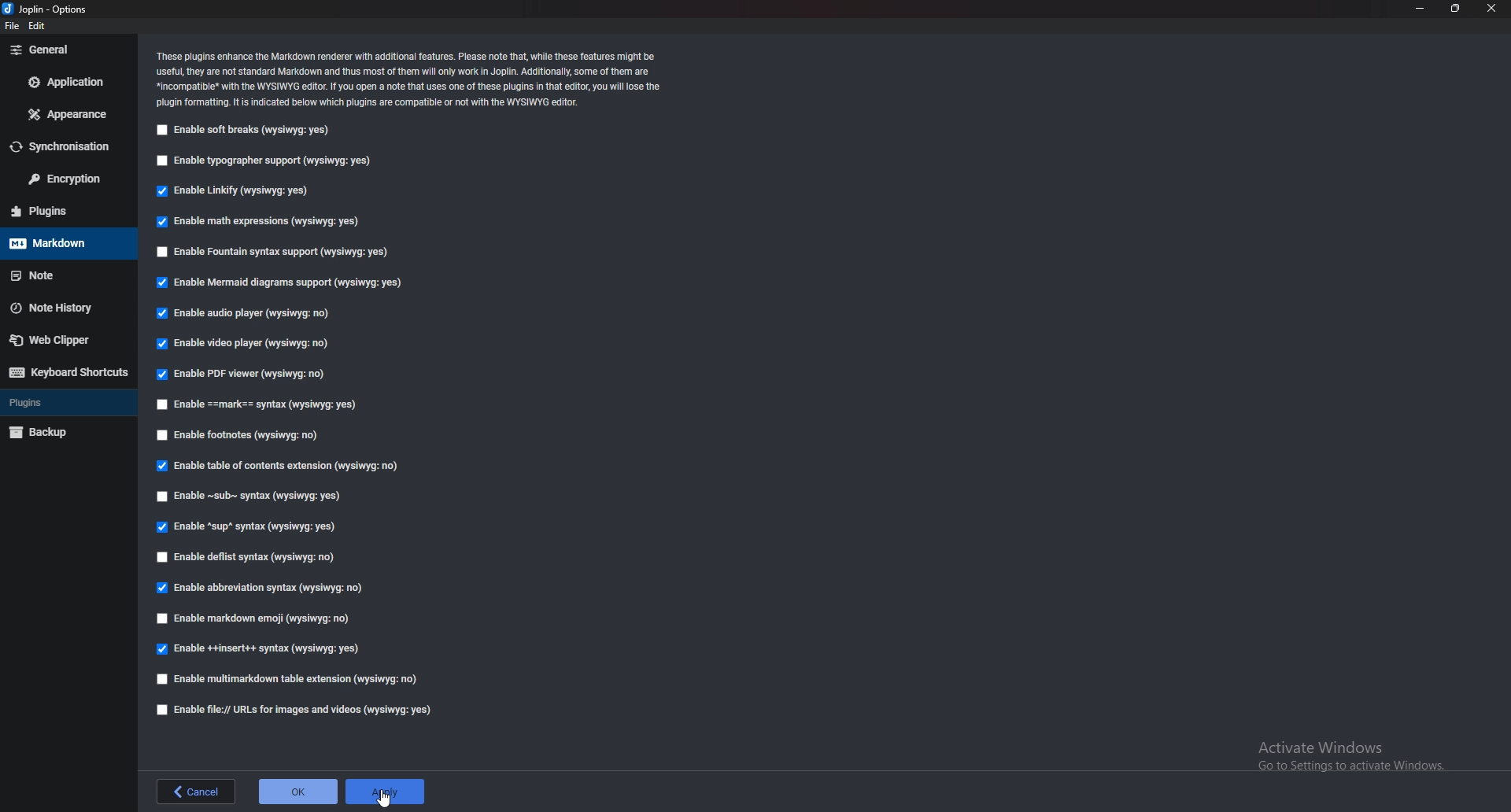 The height and width of the screenshot is (812, 1511). What do you see at coordinates (238, 191) in the screenshot?
I see `Enable linkify` at bounding box center [238, 191].